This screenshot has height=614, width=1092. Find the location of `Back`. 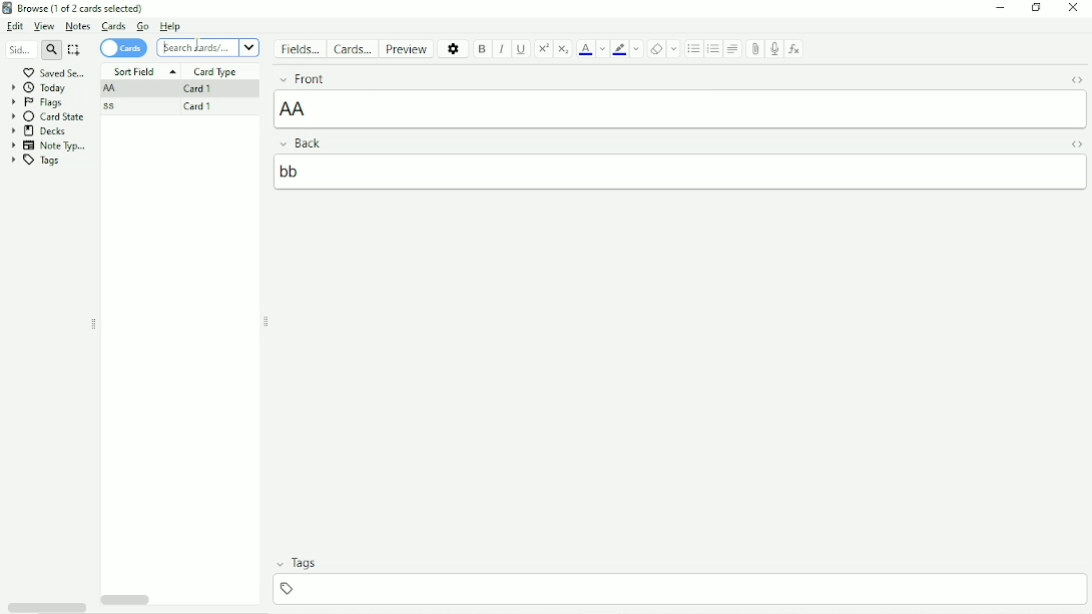

Back is located at coordinates (658, 143).